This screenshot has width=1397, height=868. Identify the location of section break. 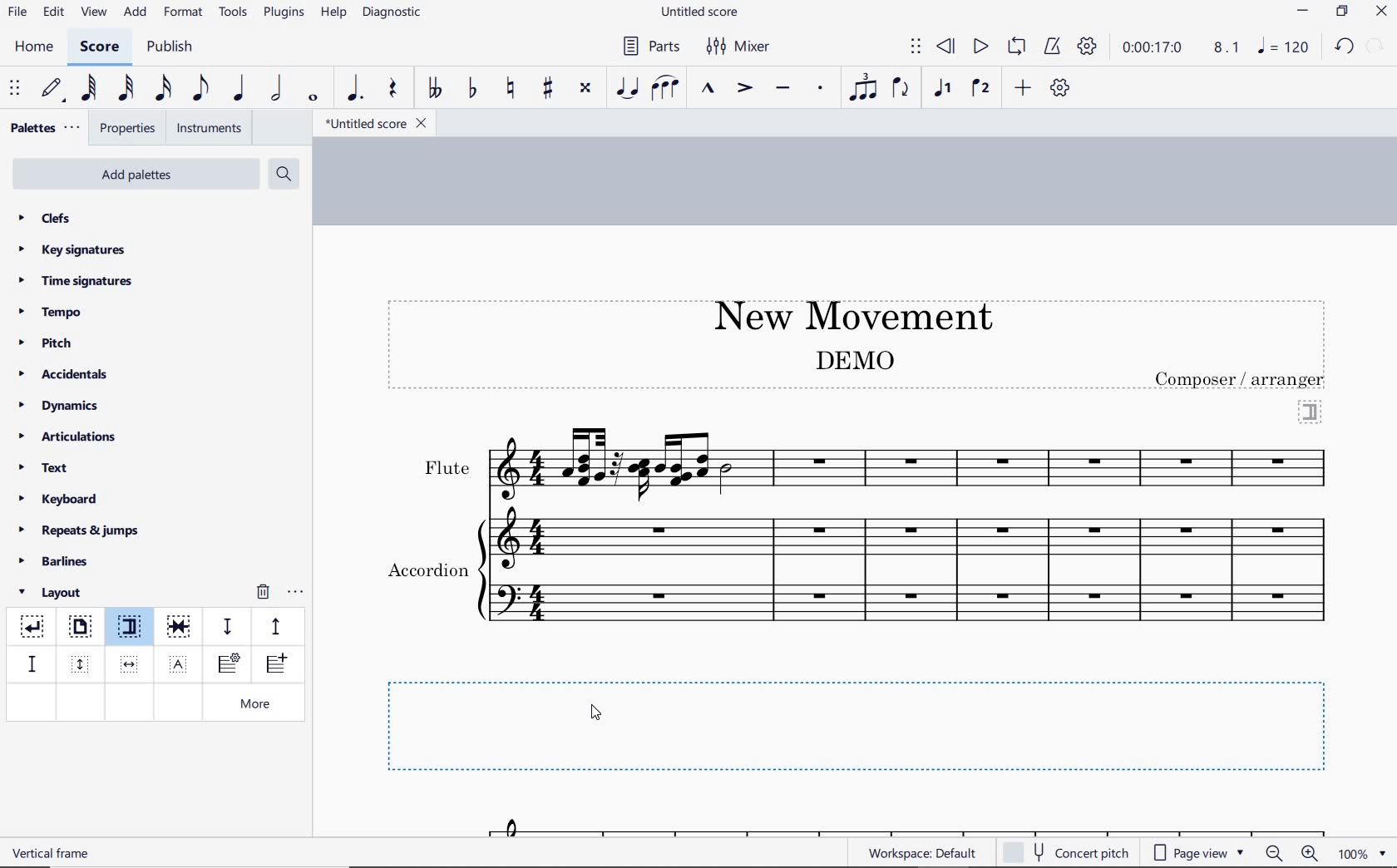
(1311, 410).